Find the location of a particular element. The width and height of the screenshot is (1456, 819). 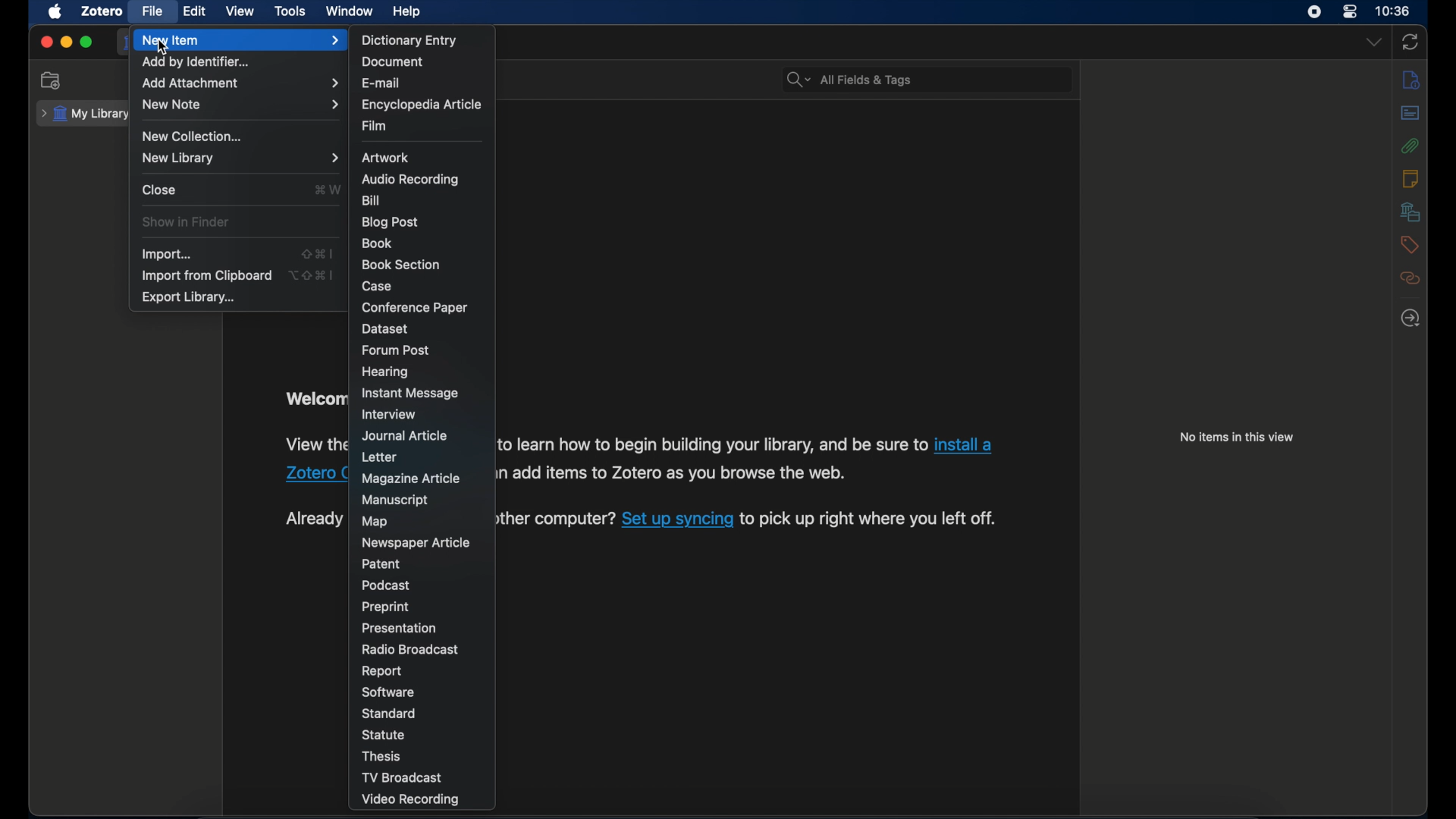

file is located at coordinates (153, 11).